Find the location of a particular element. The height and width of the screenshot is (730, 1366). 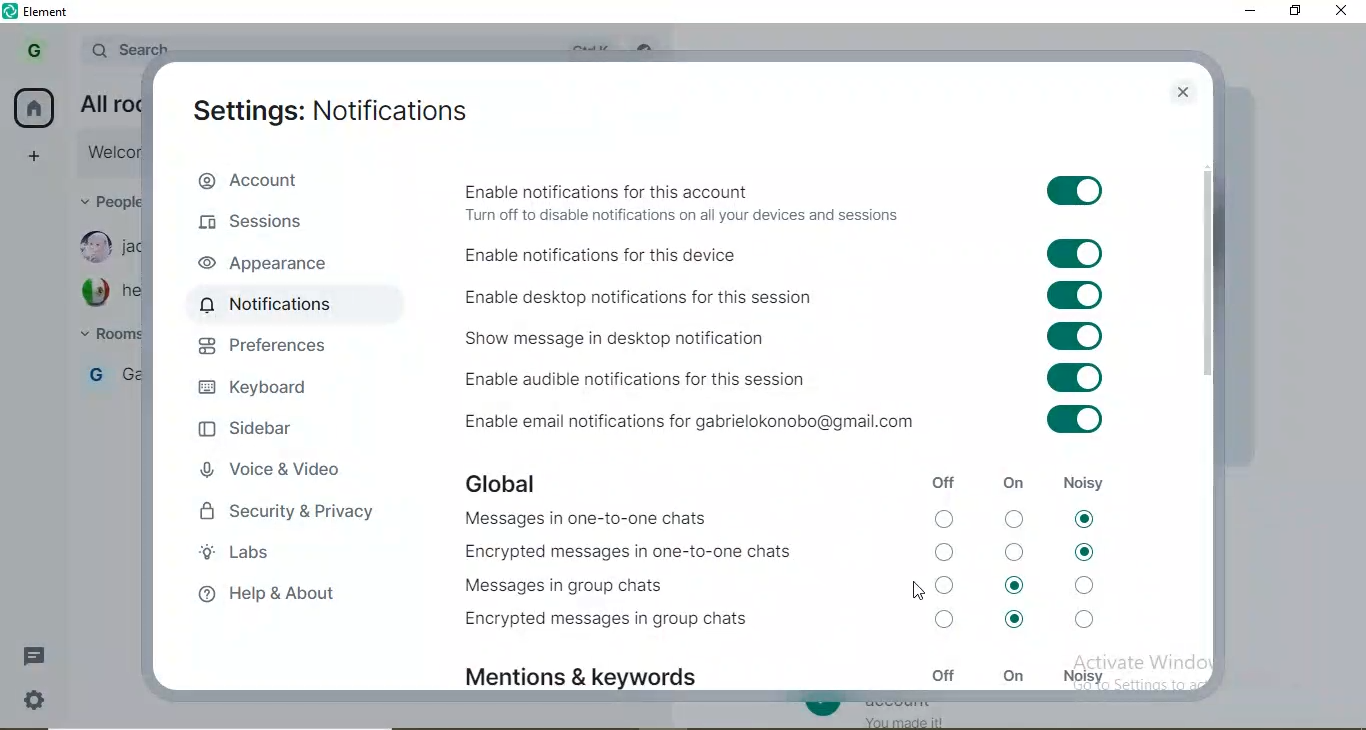

toggle is located at coordinates (1067, 378).